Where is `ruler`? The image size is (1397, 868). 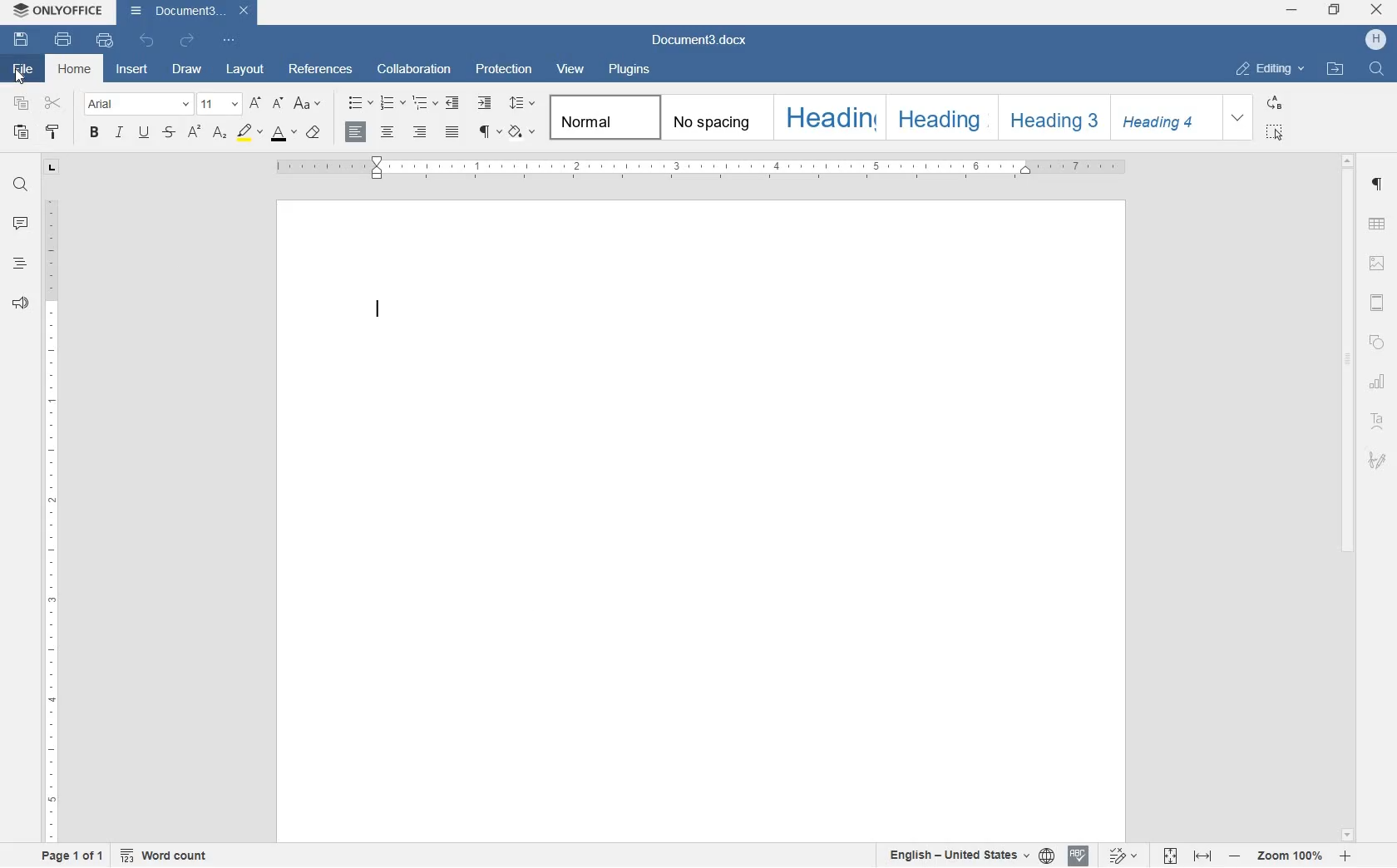 ruler is located at coordinates (52, 518).